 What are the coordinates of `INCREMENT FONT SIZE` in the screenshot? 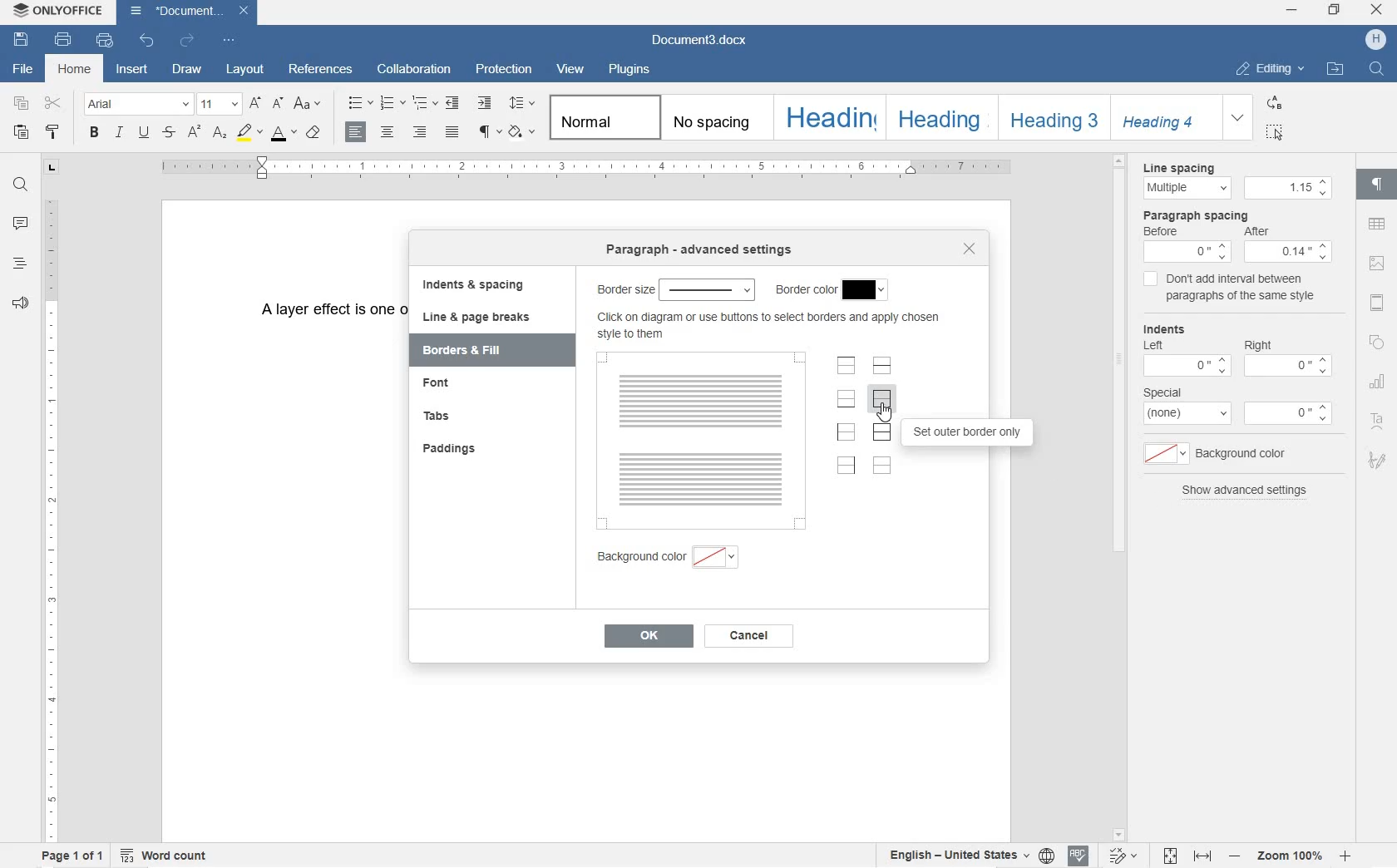 It's located at (255, 104).